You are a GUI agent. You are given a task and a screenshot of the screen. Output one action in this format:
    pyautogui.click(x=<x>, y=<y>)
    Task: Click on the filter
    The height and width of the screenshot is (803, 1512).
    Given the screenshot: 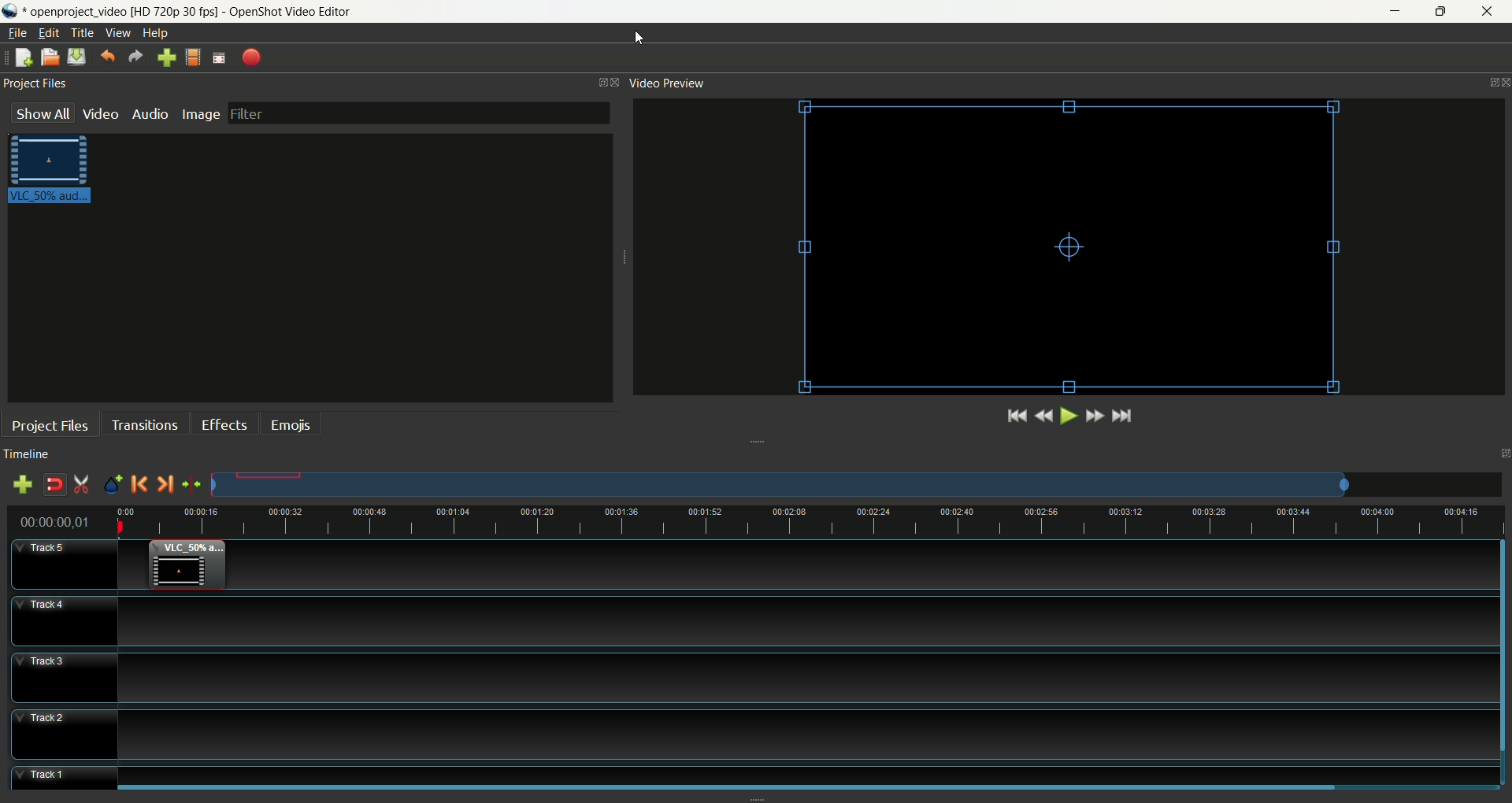 What is the action you would take?
    pyautogui.click(x=421, y=113)
    